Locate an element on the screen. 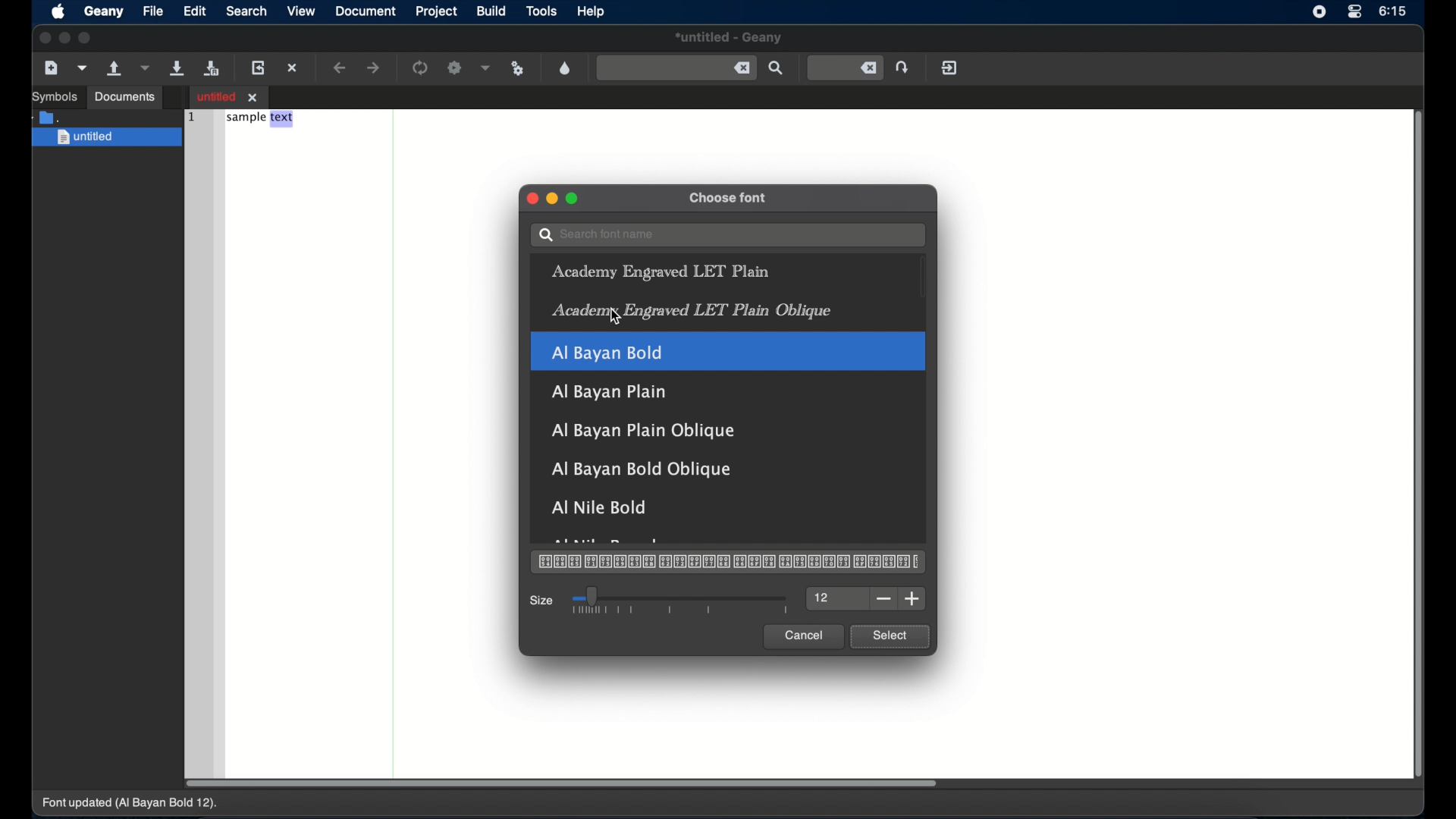 The height and width of the screenshot is (819, 1456). scroll box is located at coordinates (1420, 447).